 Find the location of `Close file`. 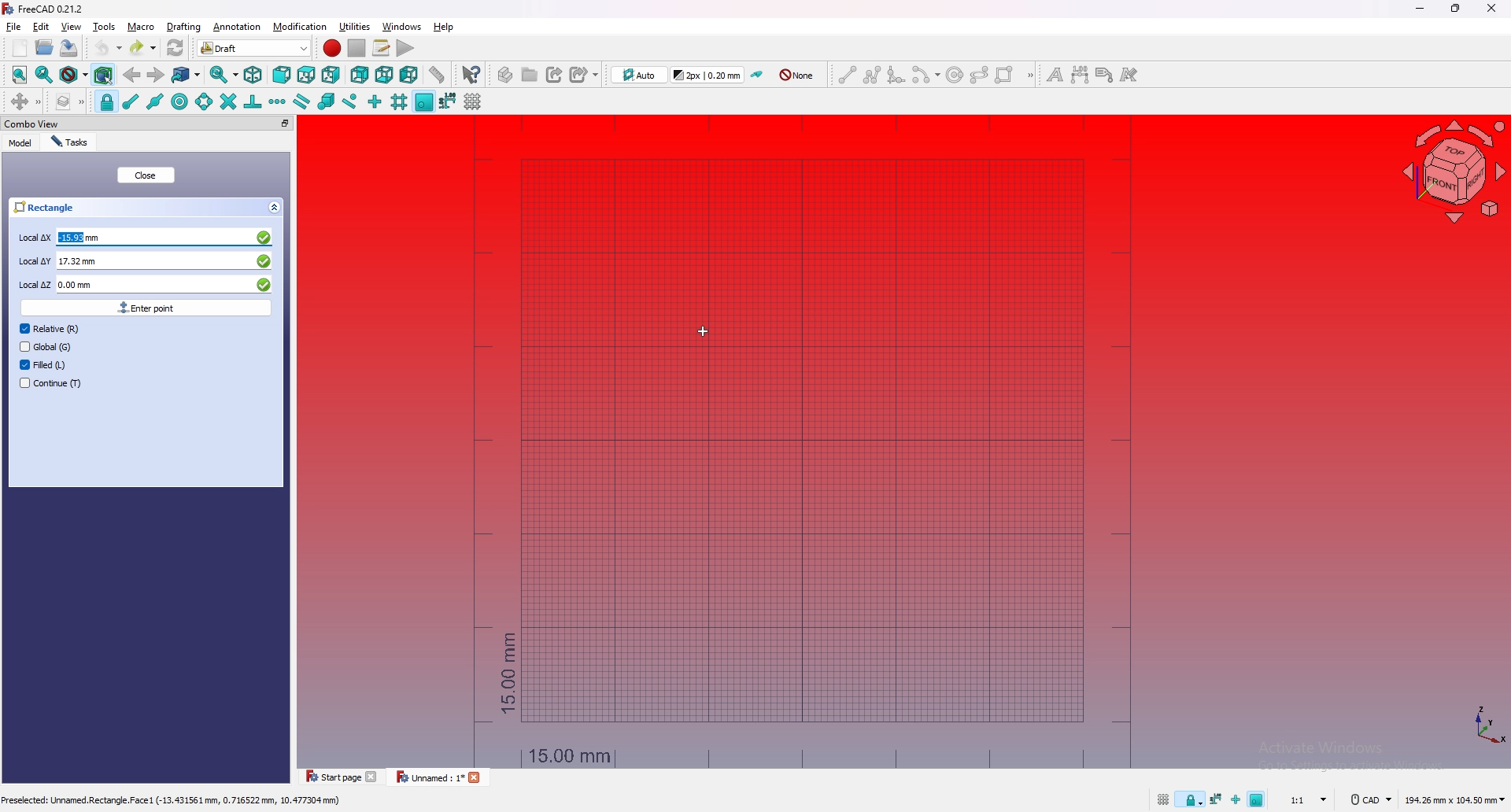

Close file is located at coordinates (374, 777).